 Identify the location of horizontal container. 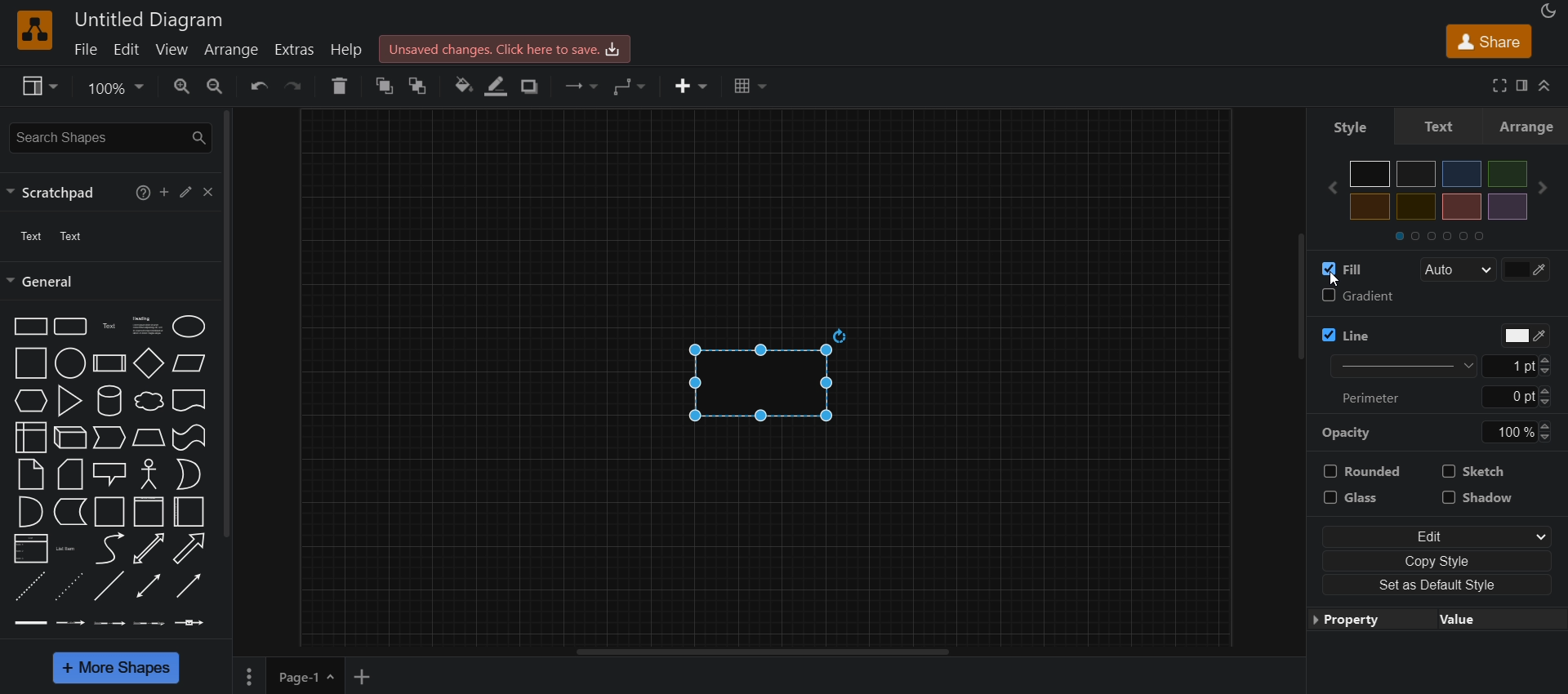
(189, 512).